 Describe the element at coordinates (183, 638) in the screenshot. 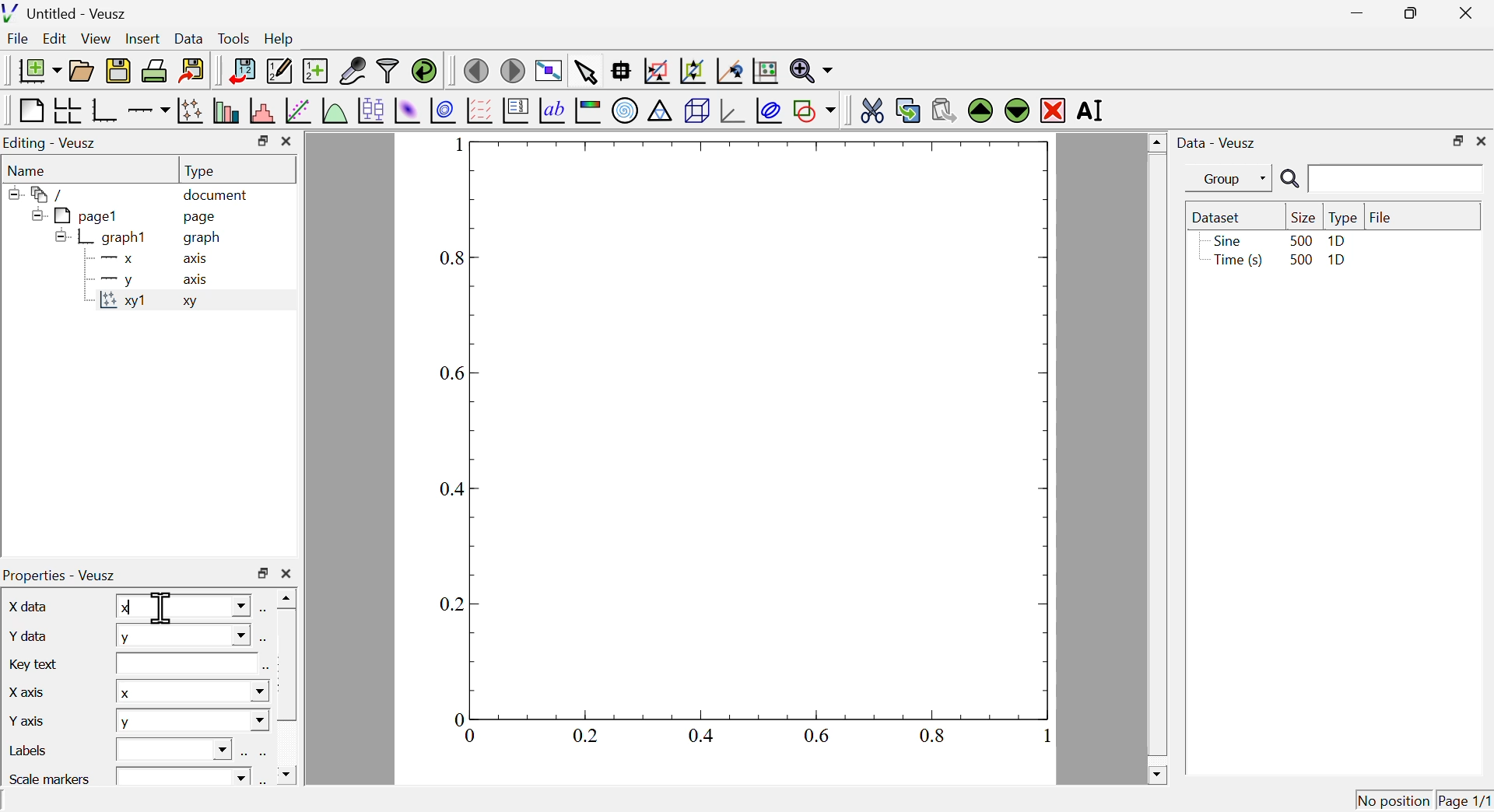

I see `y` at that location.